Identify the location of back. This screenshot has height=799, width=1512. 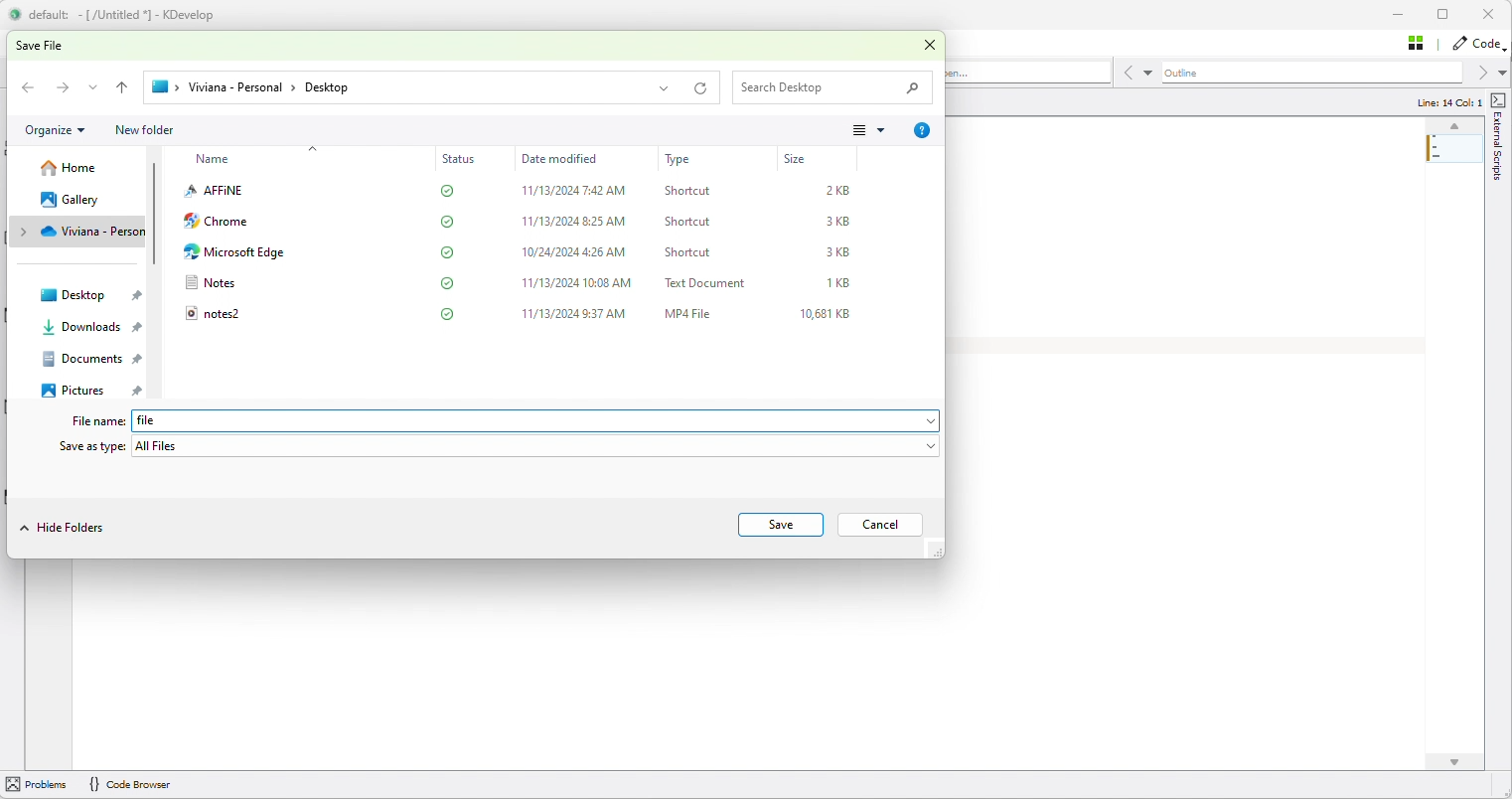
(123, 87).